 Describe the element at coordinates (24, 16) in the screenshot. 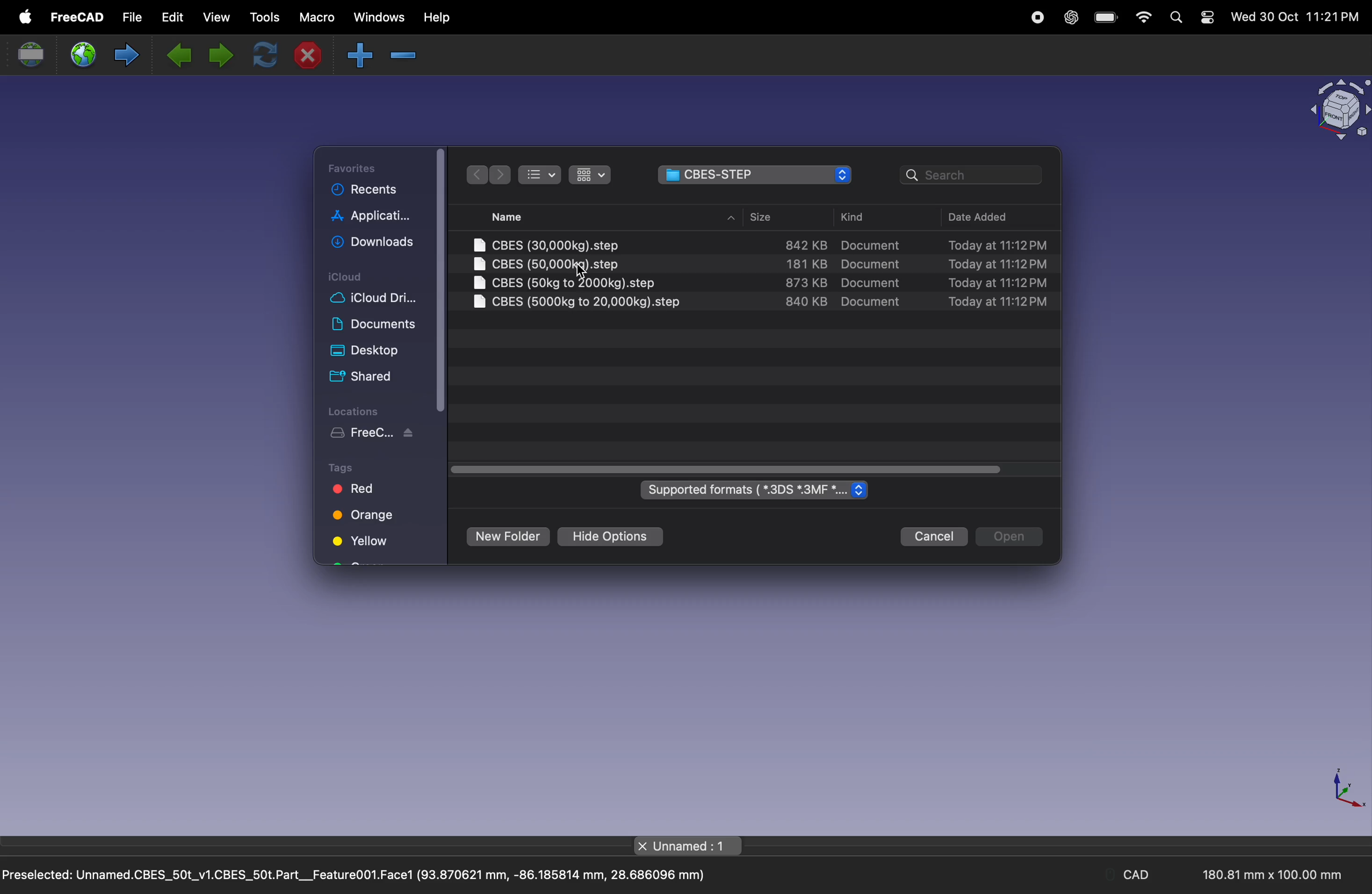

I see `apple menu` at that location.